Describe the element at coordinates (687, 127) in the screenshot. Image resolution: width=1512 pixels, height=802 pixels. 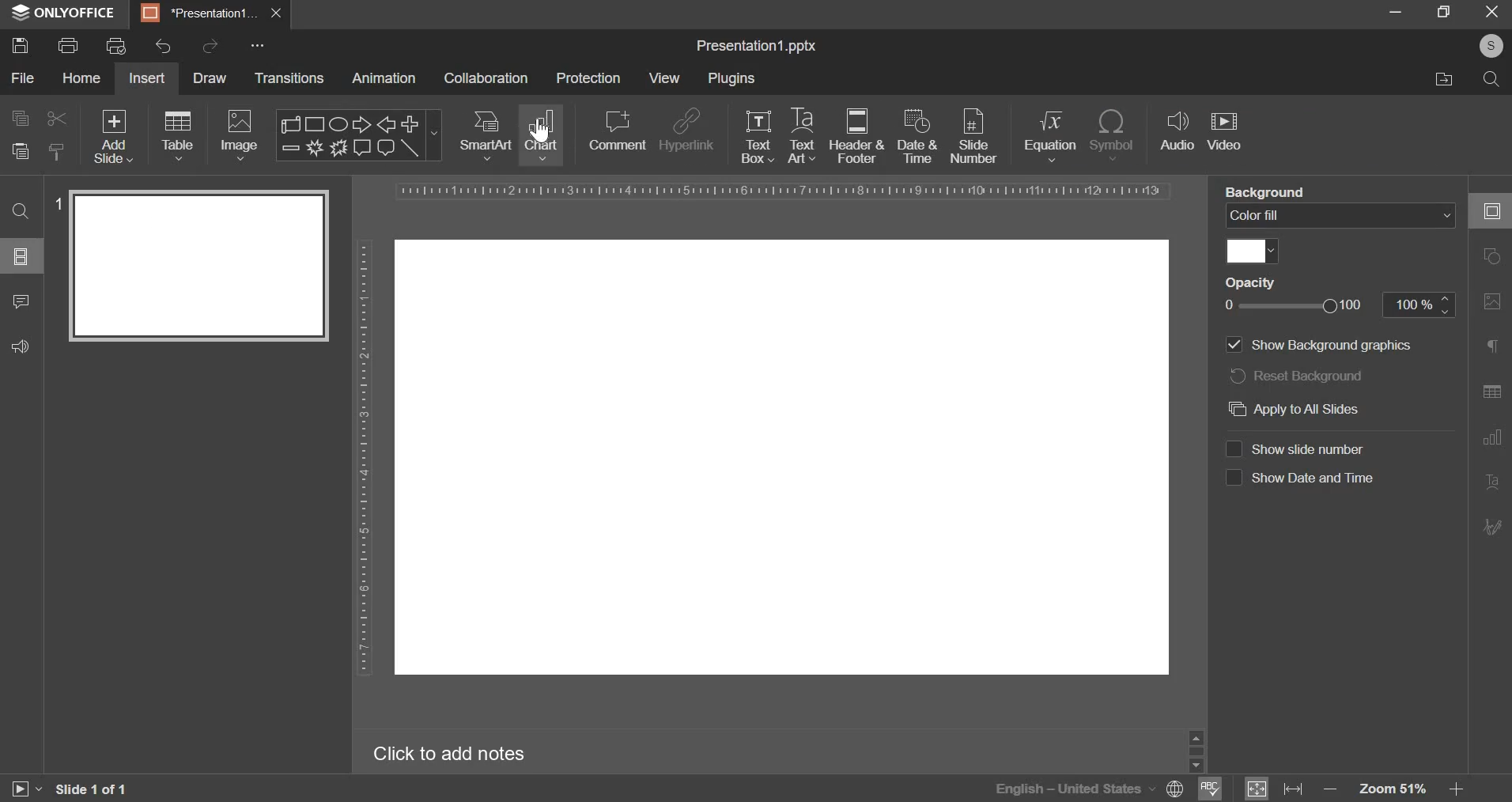
I see `hyperlink` at that location.